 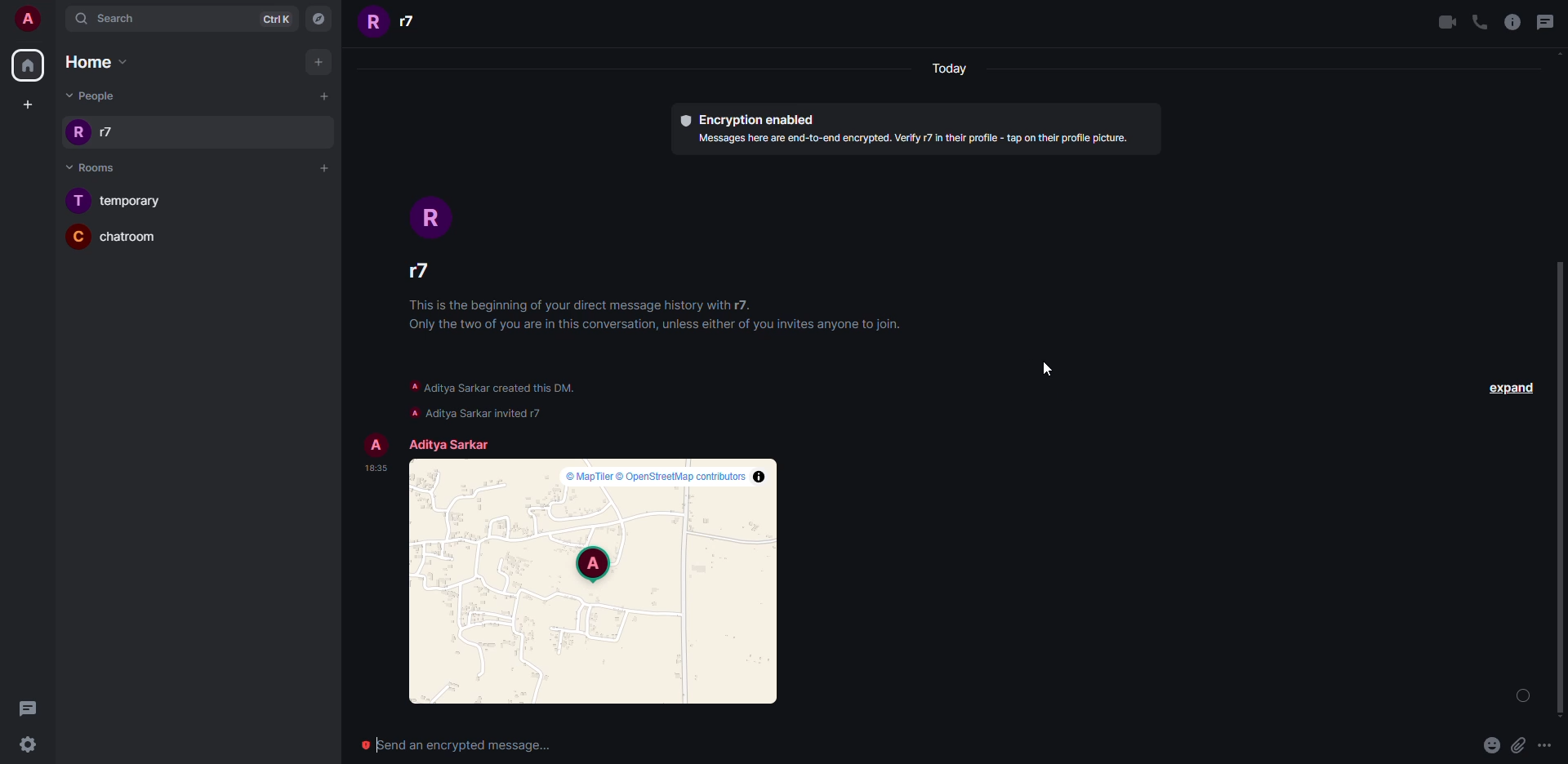 I want to click on r7, so click(x=106, y=133).